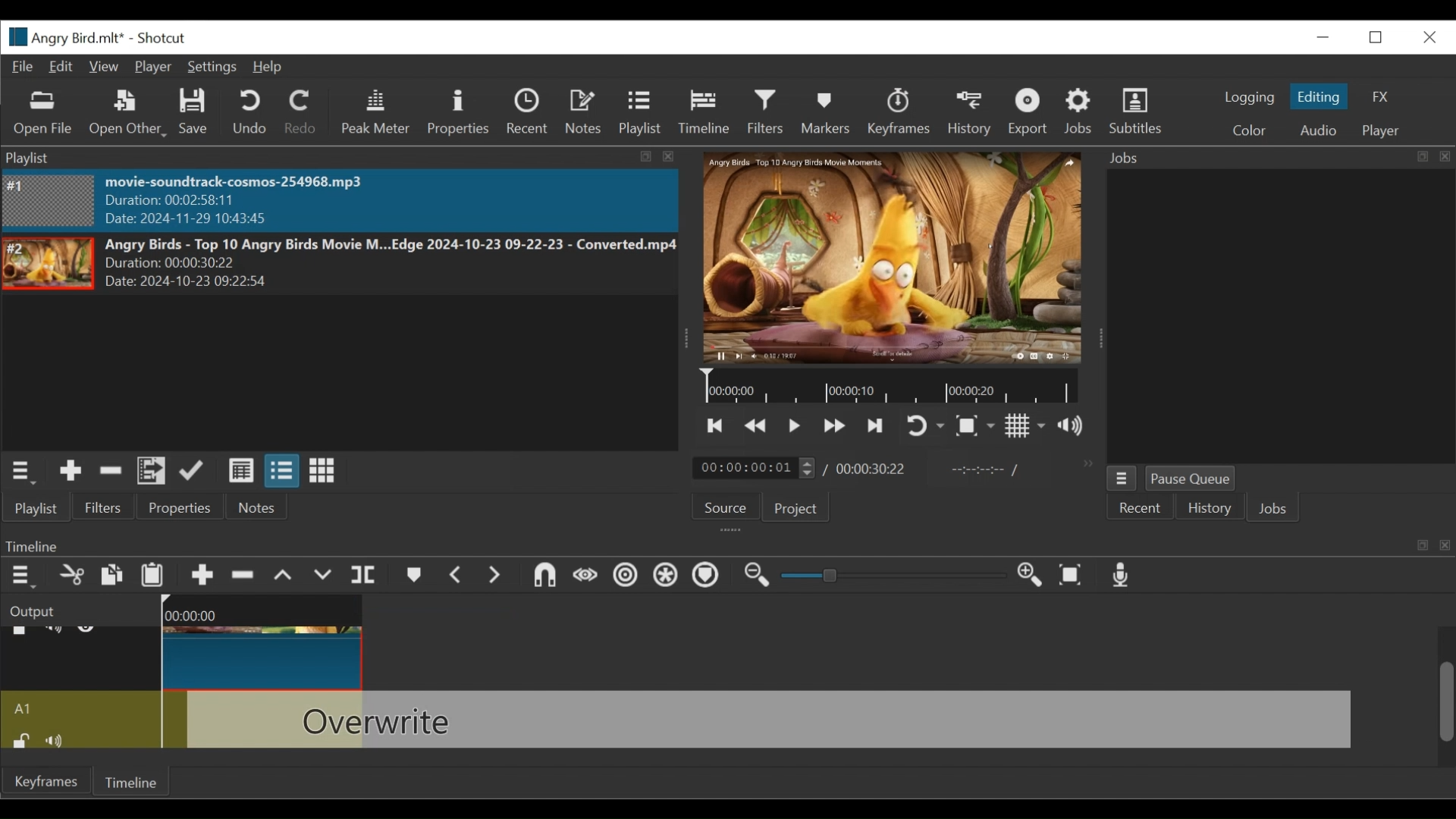 The height and width of the screenshot is (819, 1456). What do you see at coordinates (165, 38) in the screenshot?
I see `Shotcut` at bounding box center [165, 38].